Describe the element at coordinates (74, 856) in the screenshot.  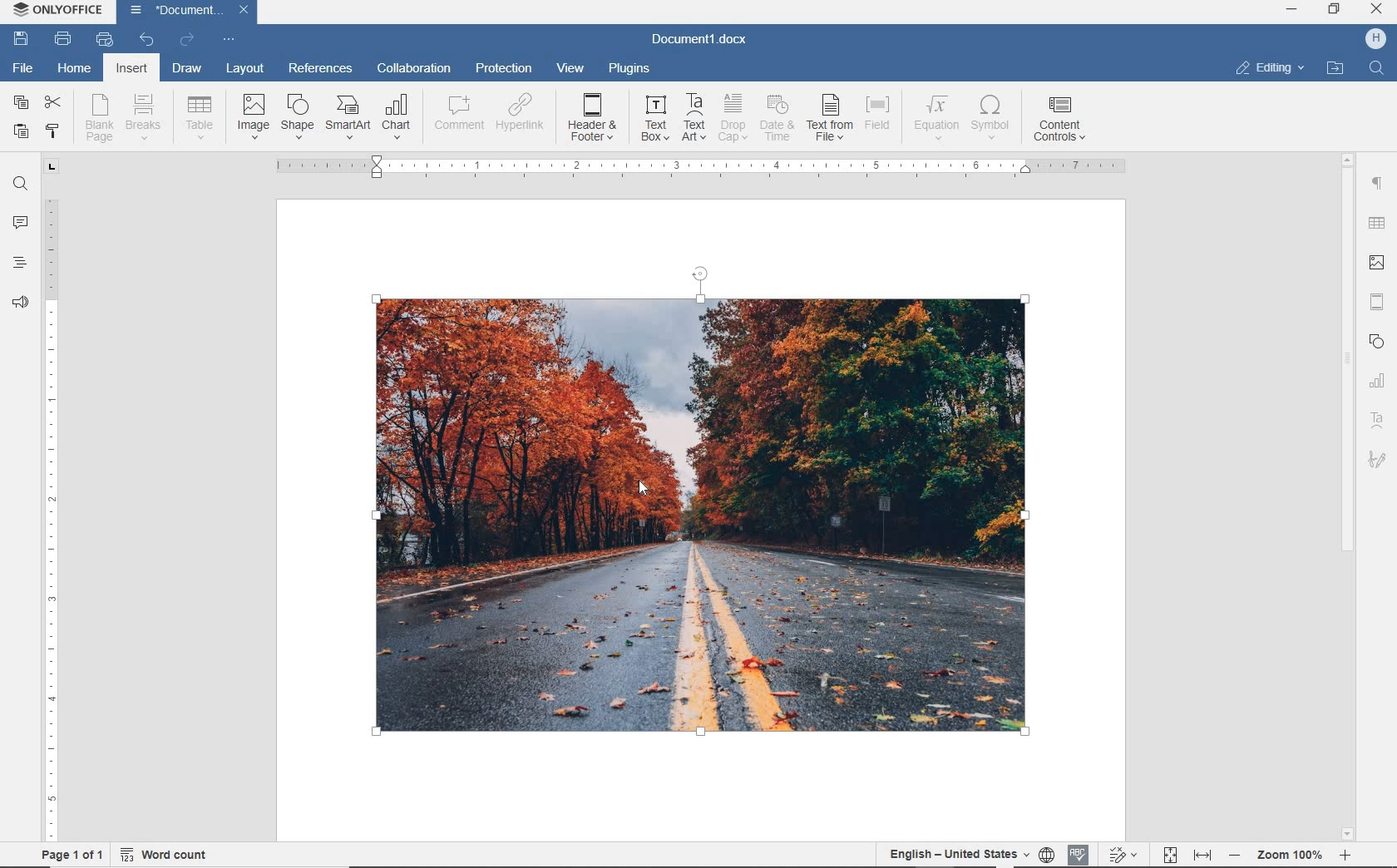
I see `page 1of 1` at that location.